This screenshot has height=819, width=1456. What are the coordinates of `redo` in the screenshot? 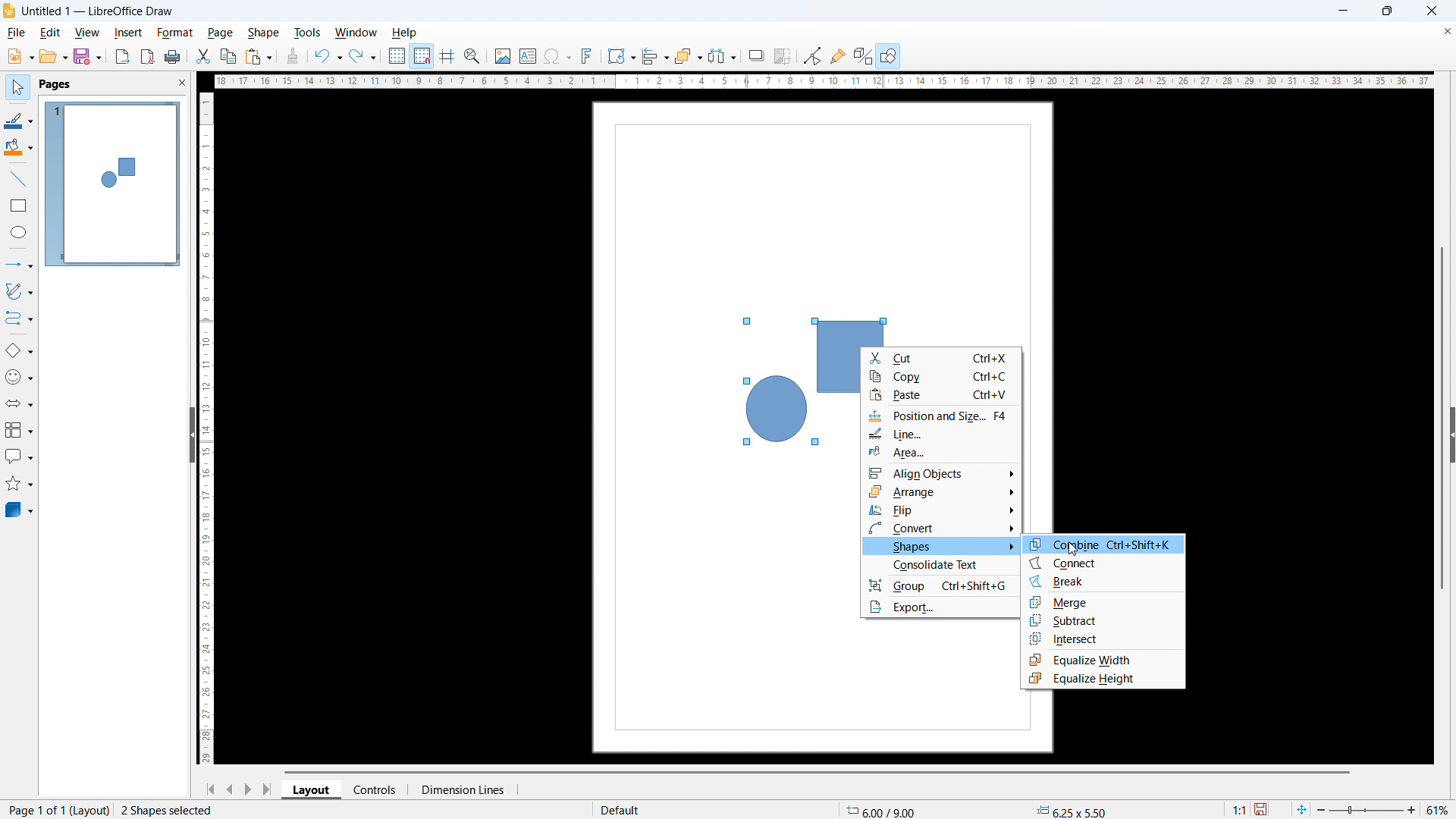 It's located at (364, 57).